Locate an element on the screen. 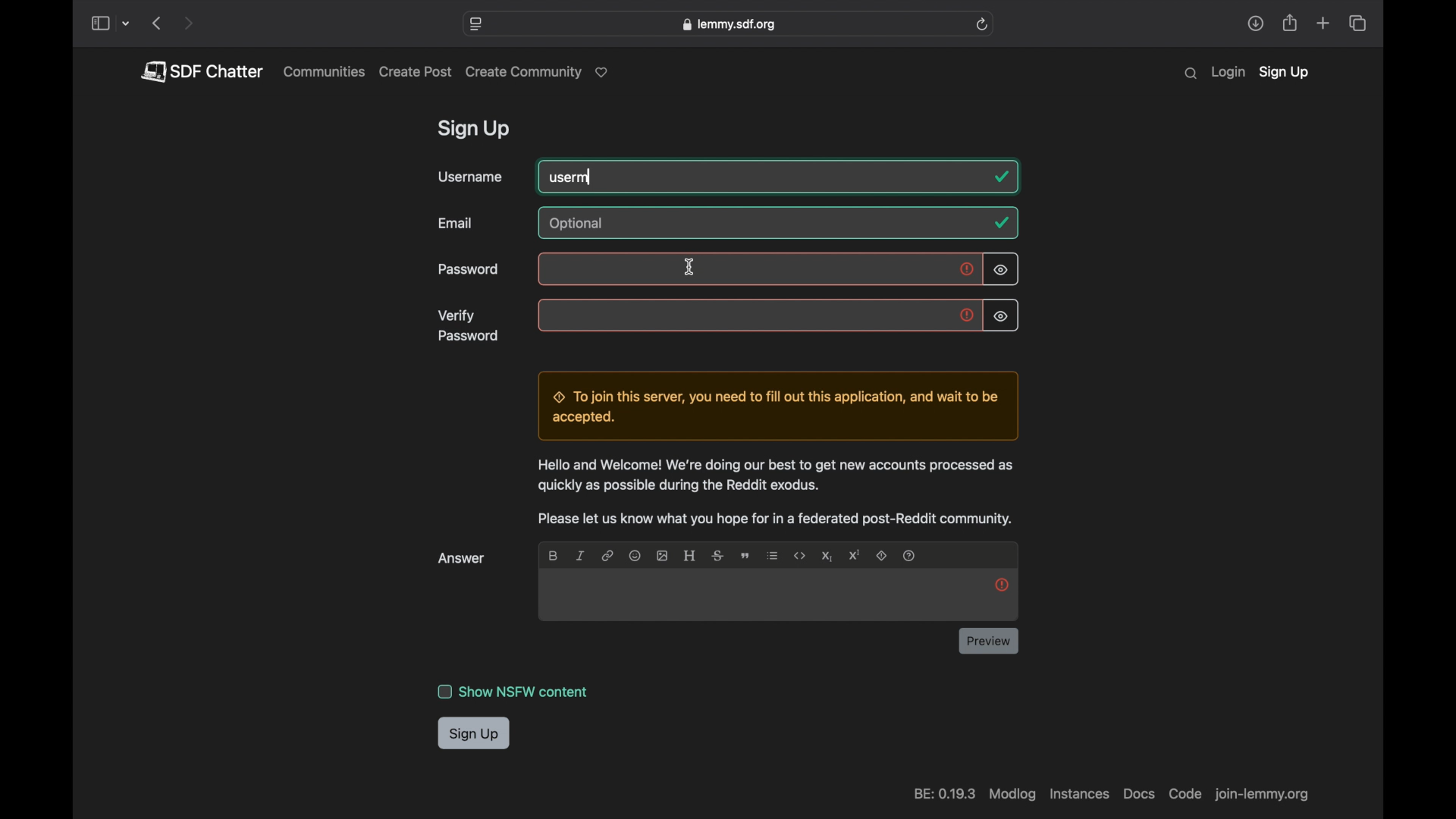  strikethrough is located at coordinates (717, 555).